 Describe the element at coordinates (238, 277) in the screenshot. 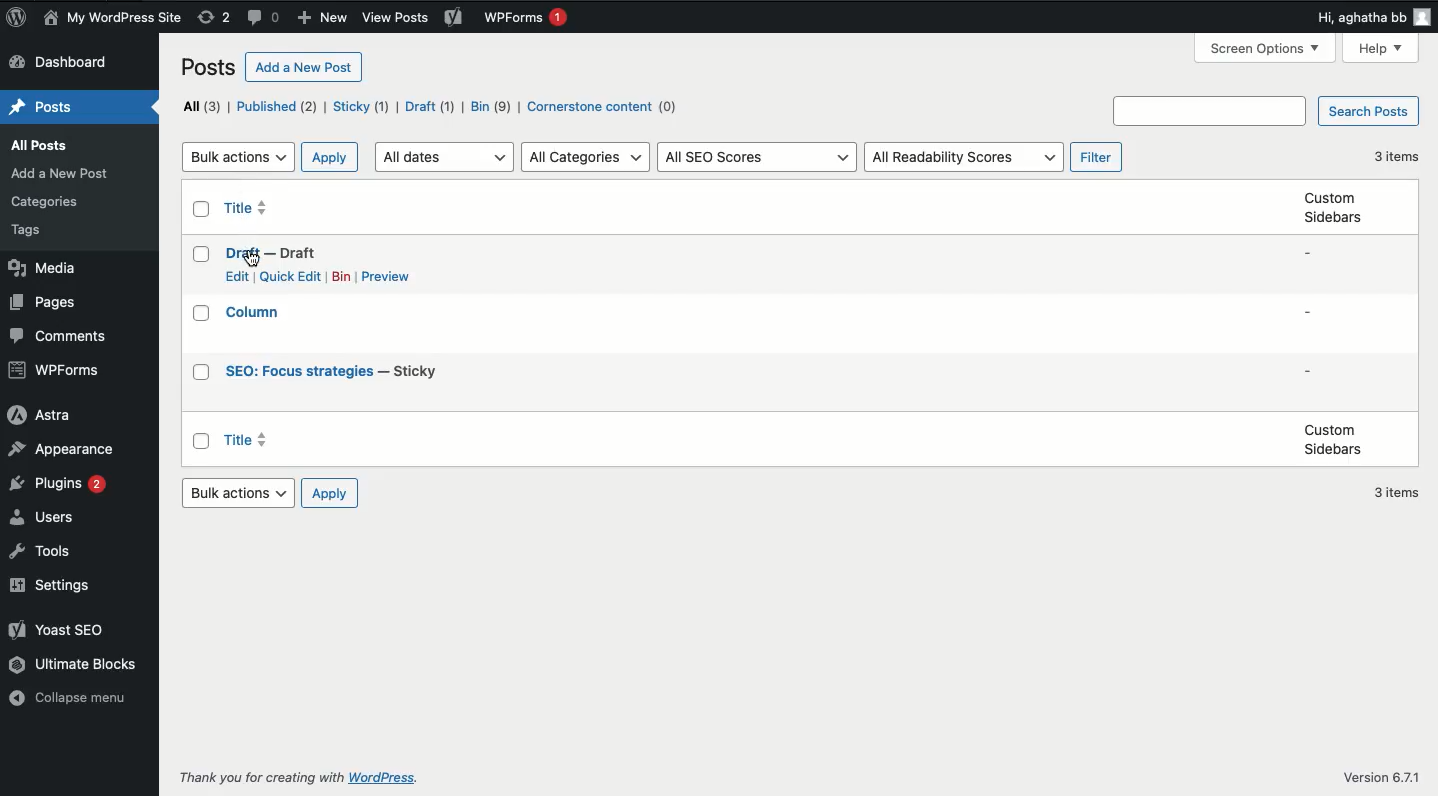

I see `Edit` at that location.